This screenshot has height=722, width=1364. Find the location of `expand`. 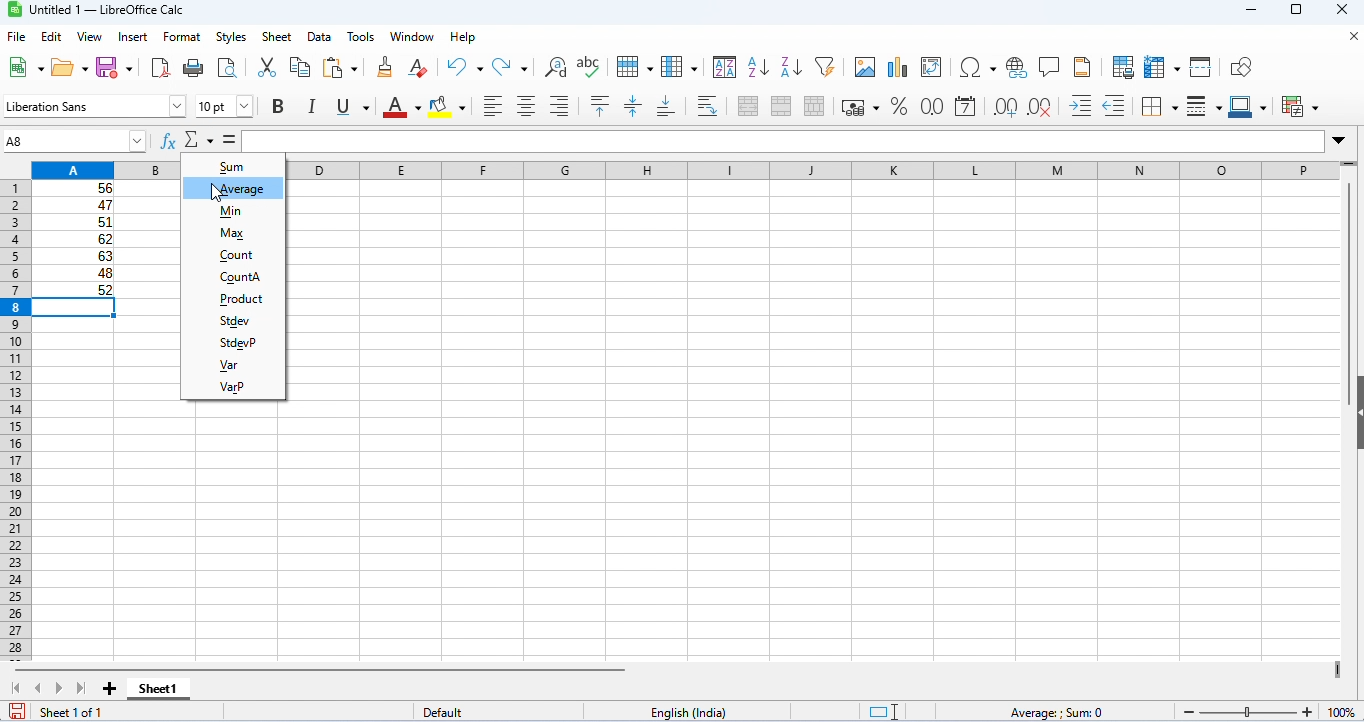

expand is located at coordinates (1339, 141).